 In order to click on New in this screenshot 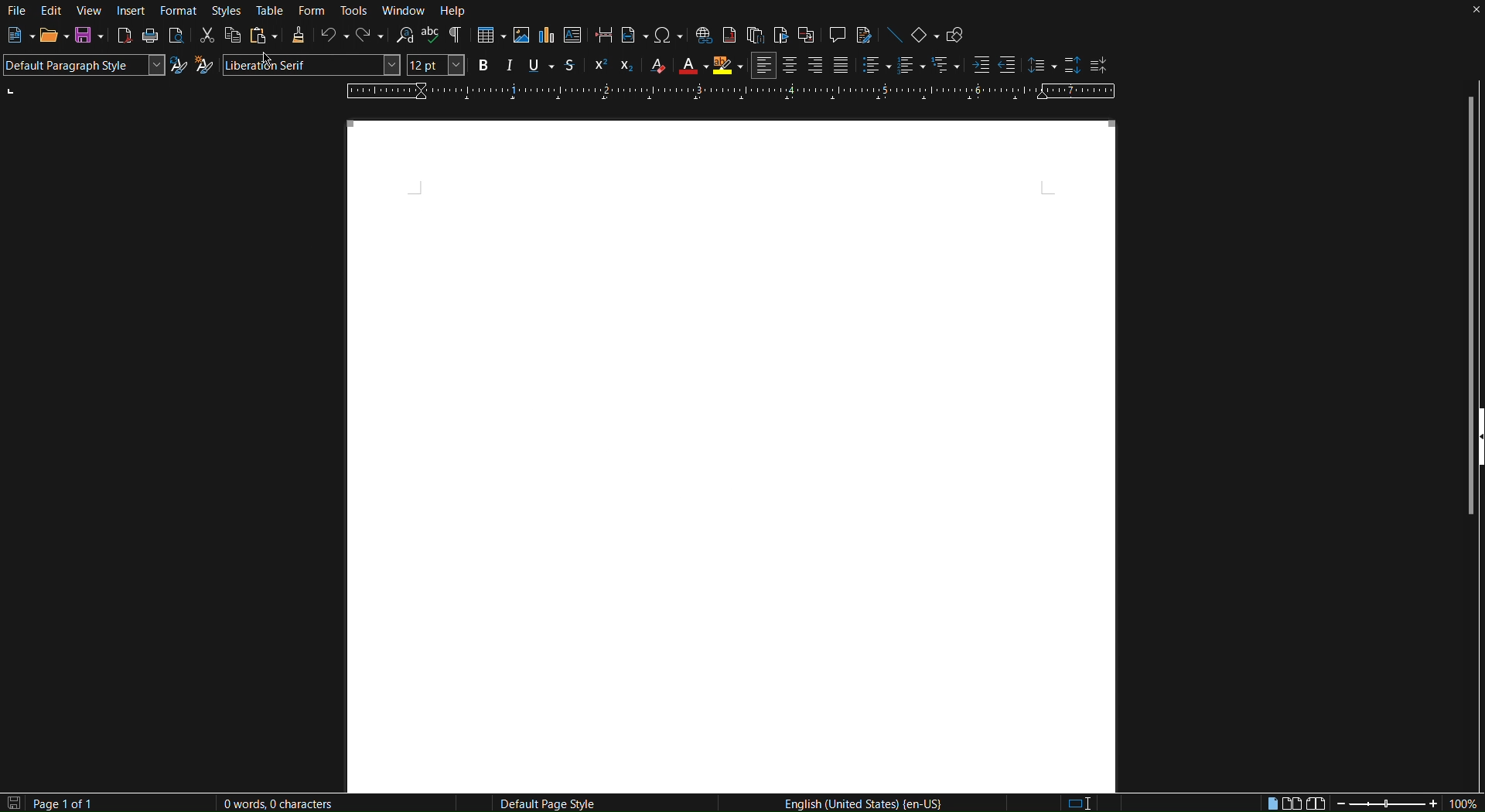, I will do `click(14, 37)`.